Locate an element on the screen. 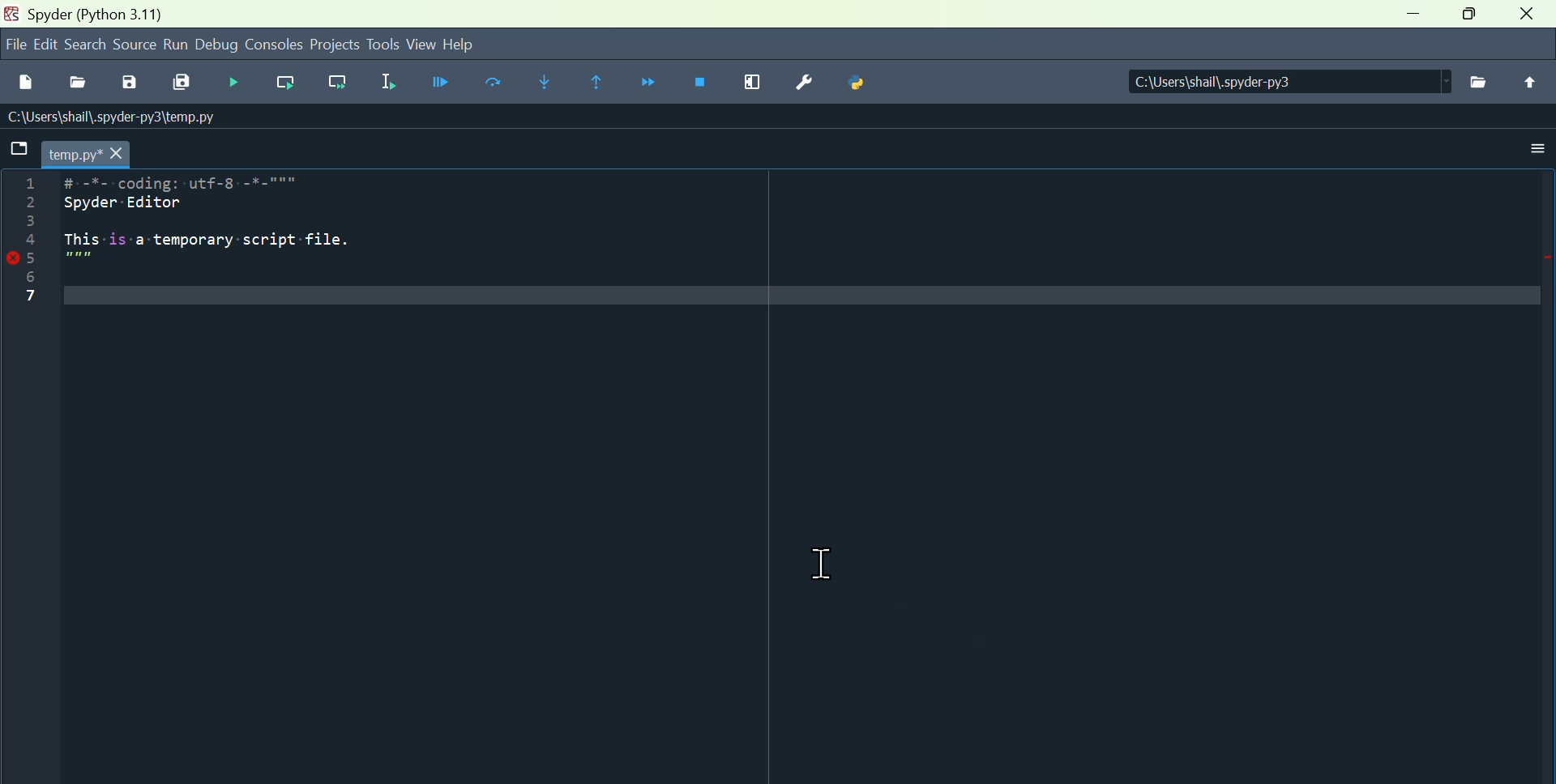 The image size is (1556, 784). help is located at coordinates (471, 46).